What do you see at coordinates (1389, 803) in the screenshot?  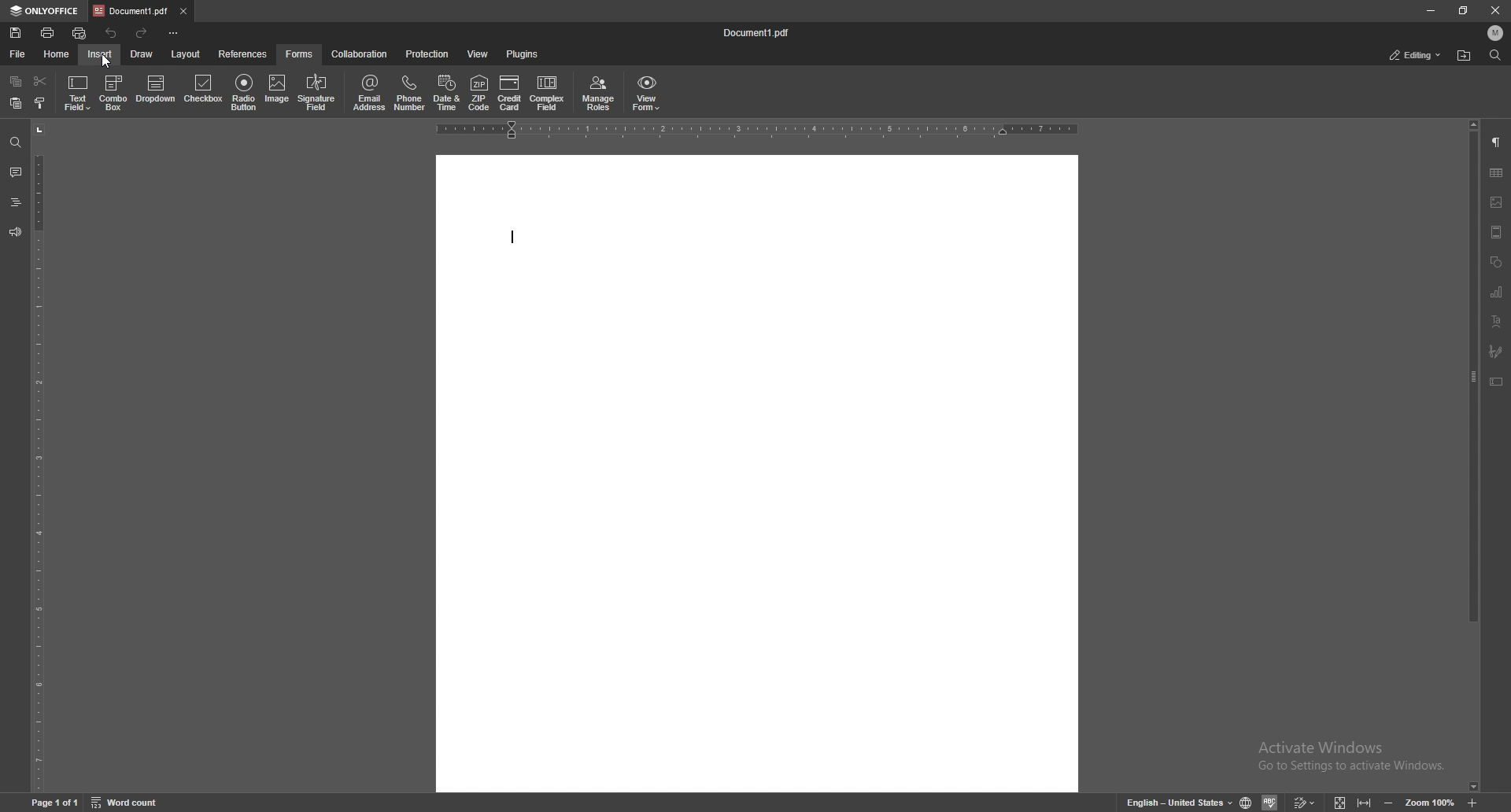 I see `zoom out` at bounding box center [1389, 803].